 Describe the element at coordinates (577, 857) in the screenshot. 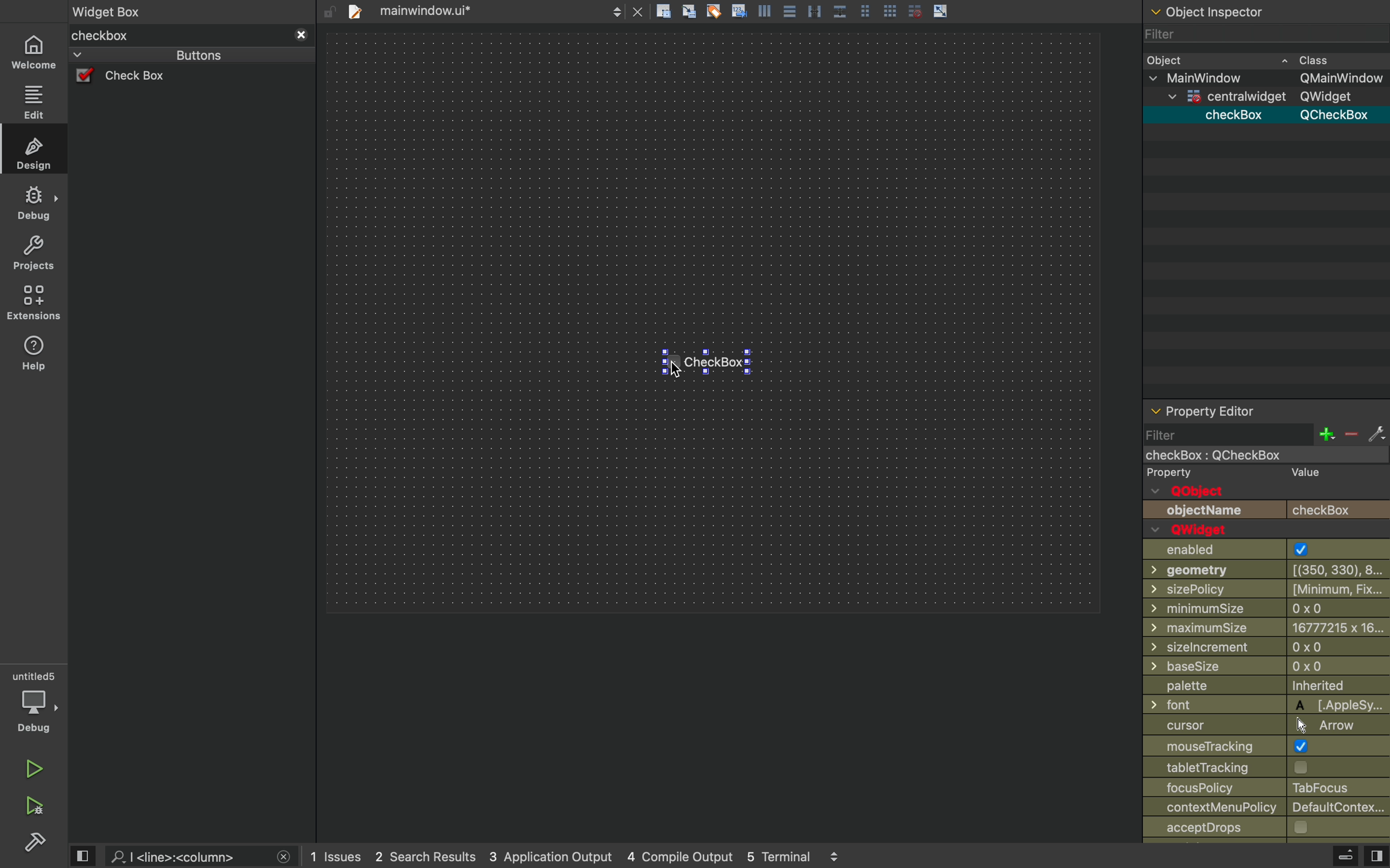

I see `logs` at that location.